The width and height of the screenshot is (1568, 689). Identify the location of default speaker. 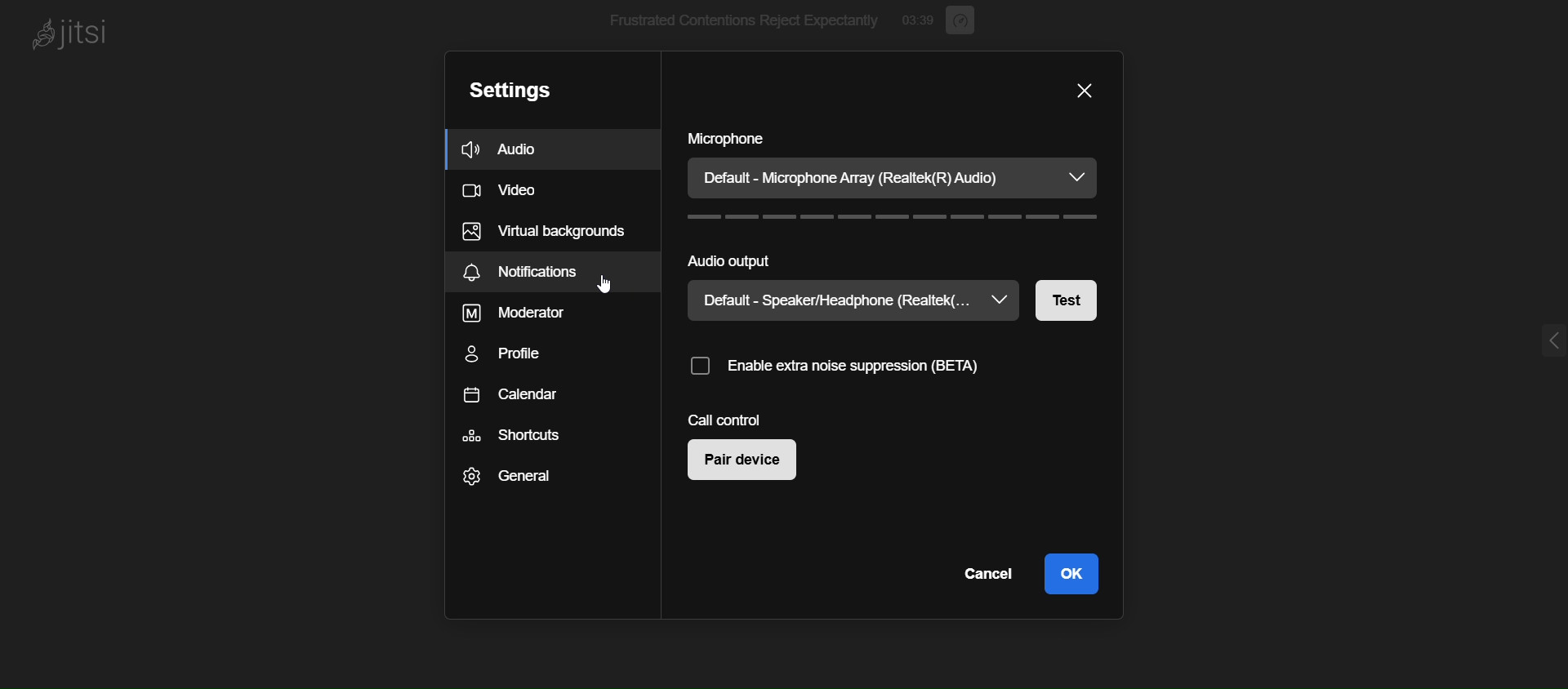
(856, 304).